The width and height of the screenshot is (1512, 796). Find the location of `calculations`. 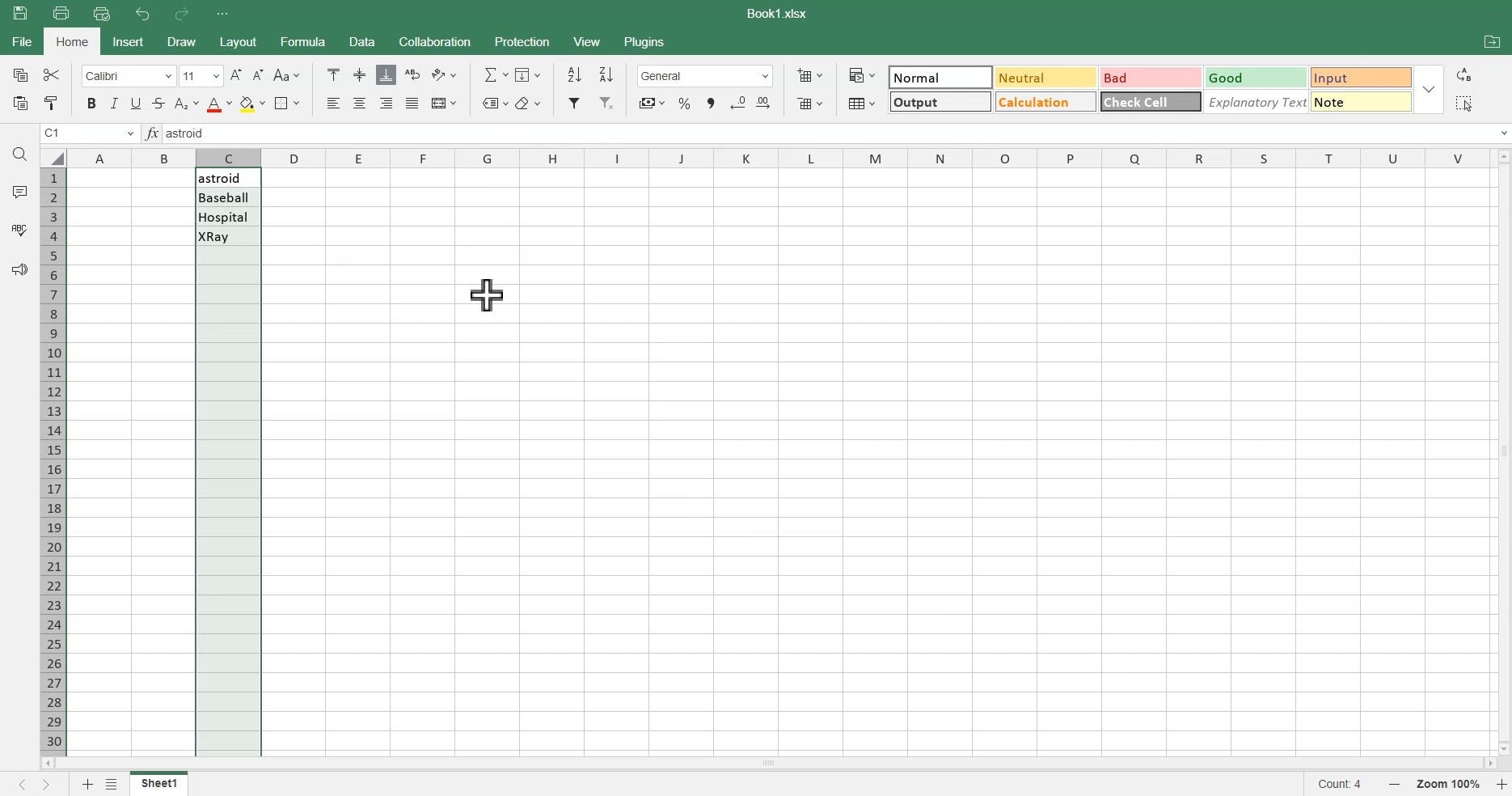

calculations is located at coordinates (1043, 102).